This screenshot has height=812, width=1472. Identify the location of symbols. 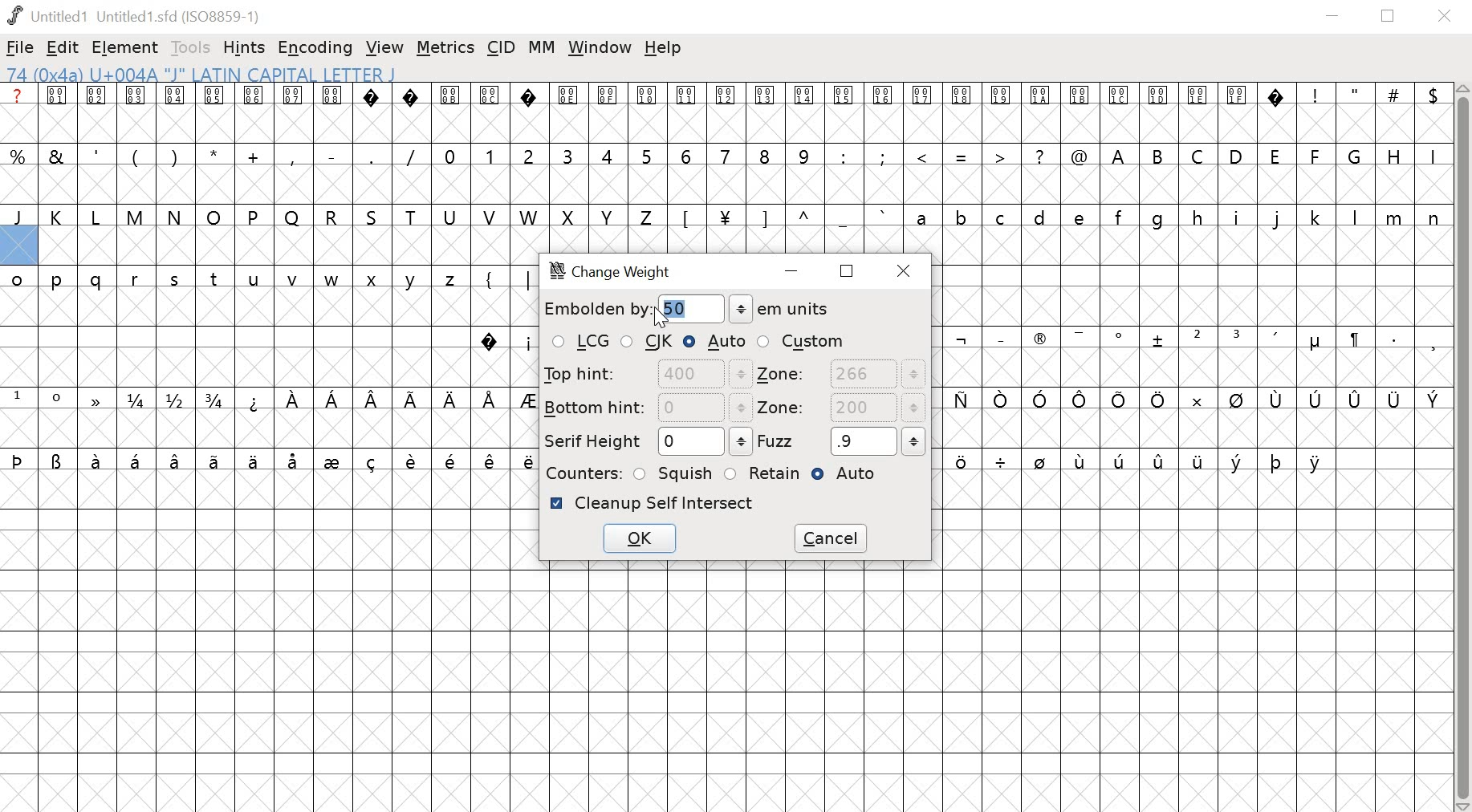
(501, 278).